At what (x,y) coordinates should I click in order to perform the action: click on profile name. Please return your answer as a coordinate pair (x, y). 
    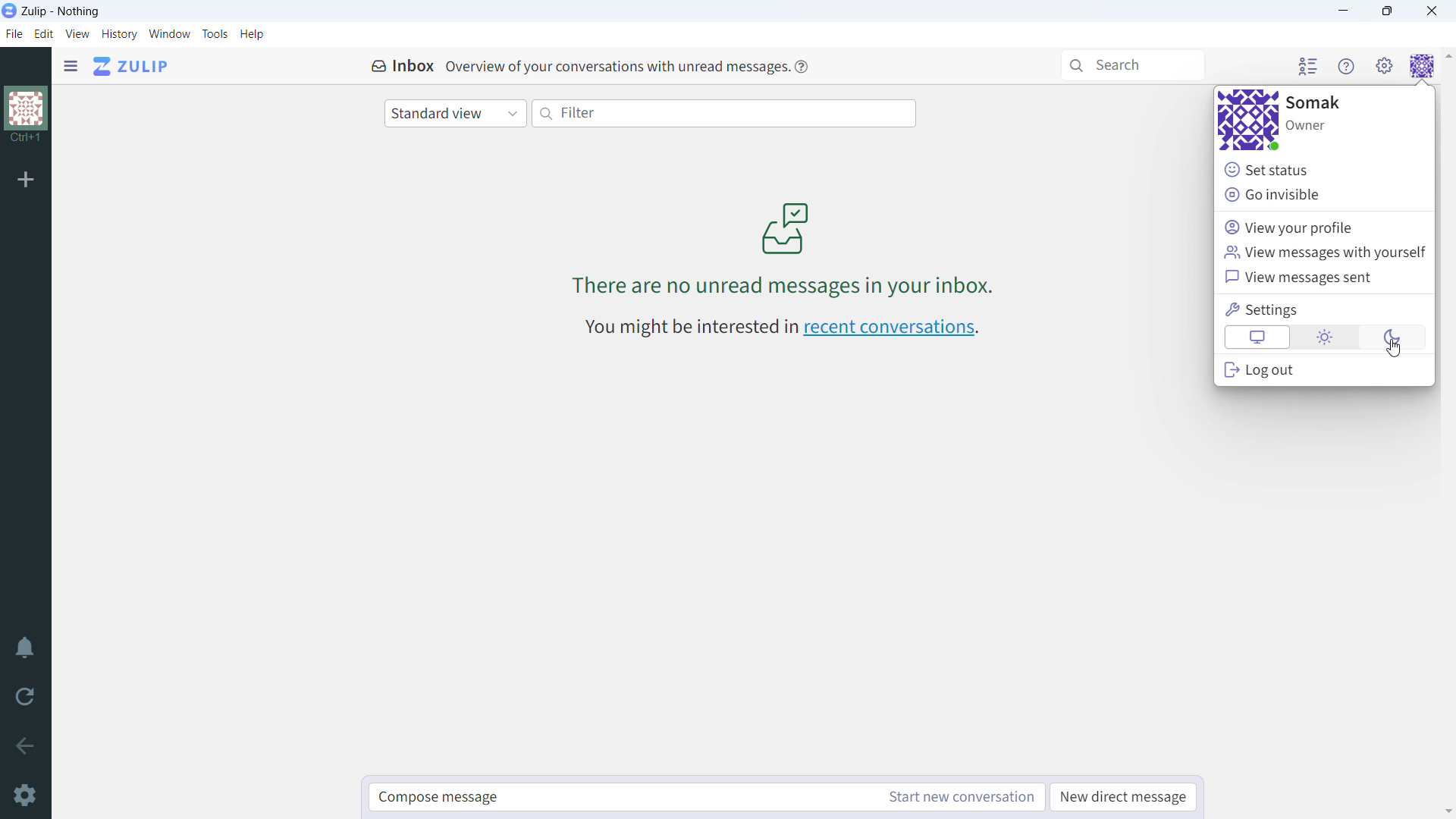
    Looking at the image, I should click on (1316, 102).